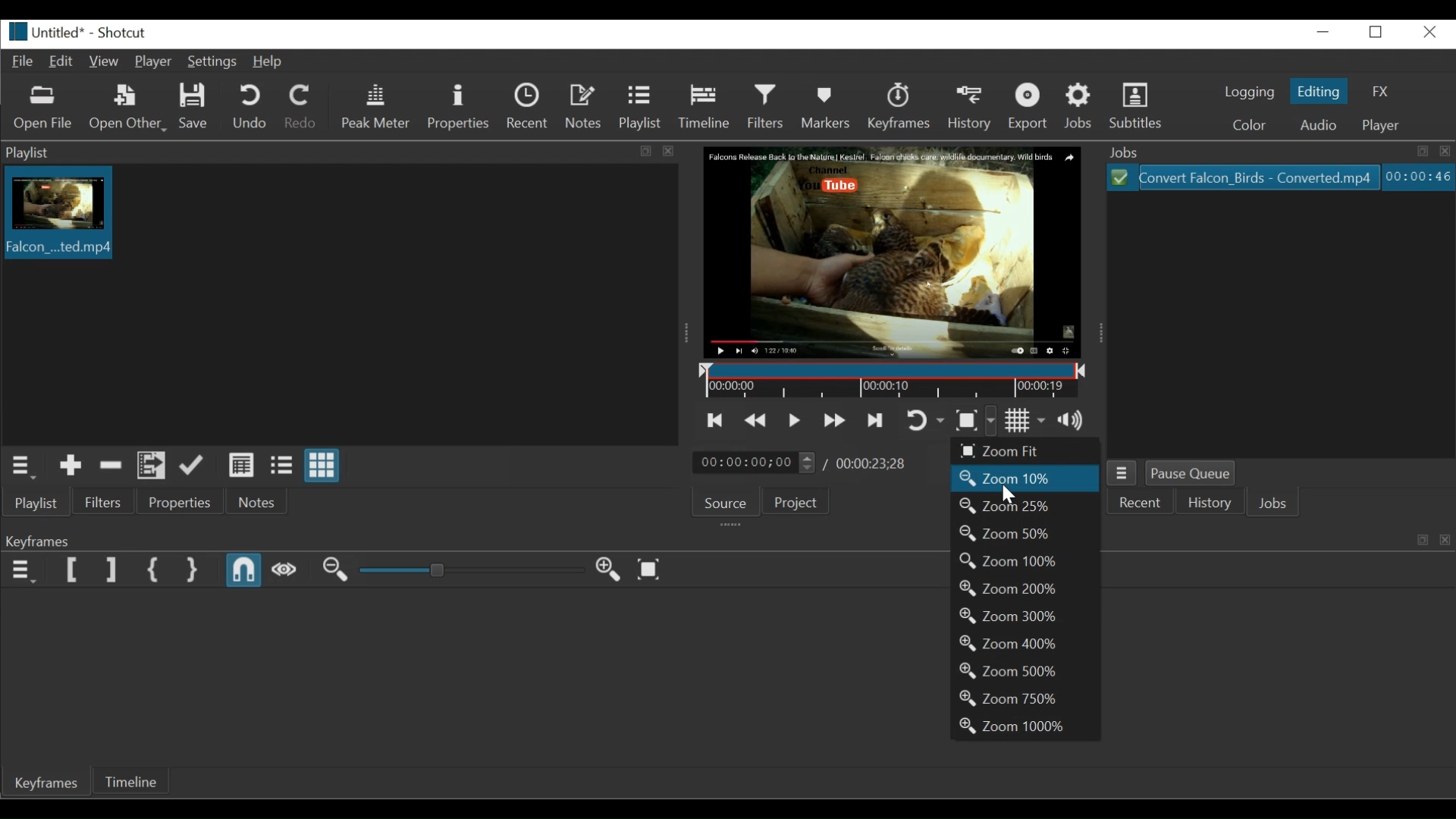  I want to click on Jobs, so click(1079, 107).